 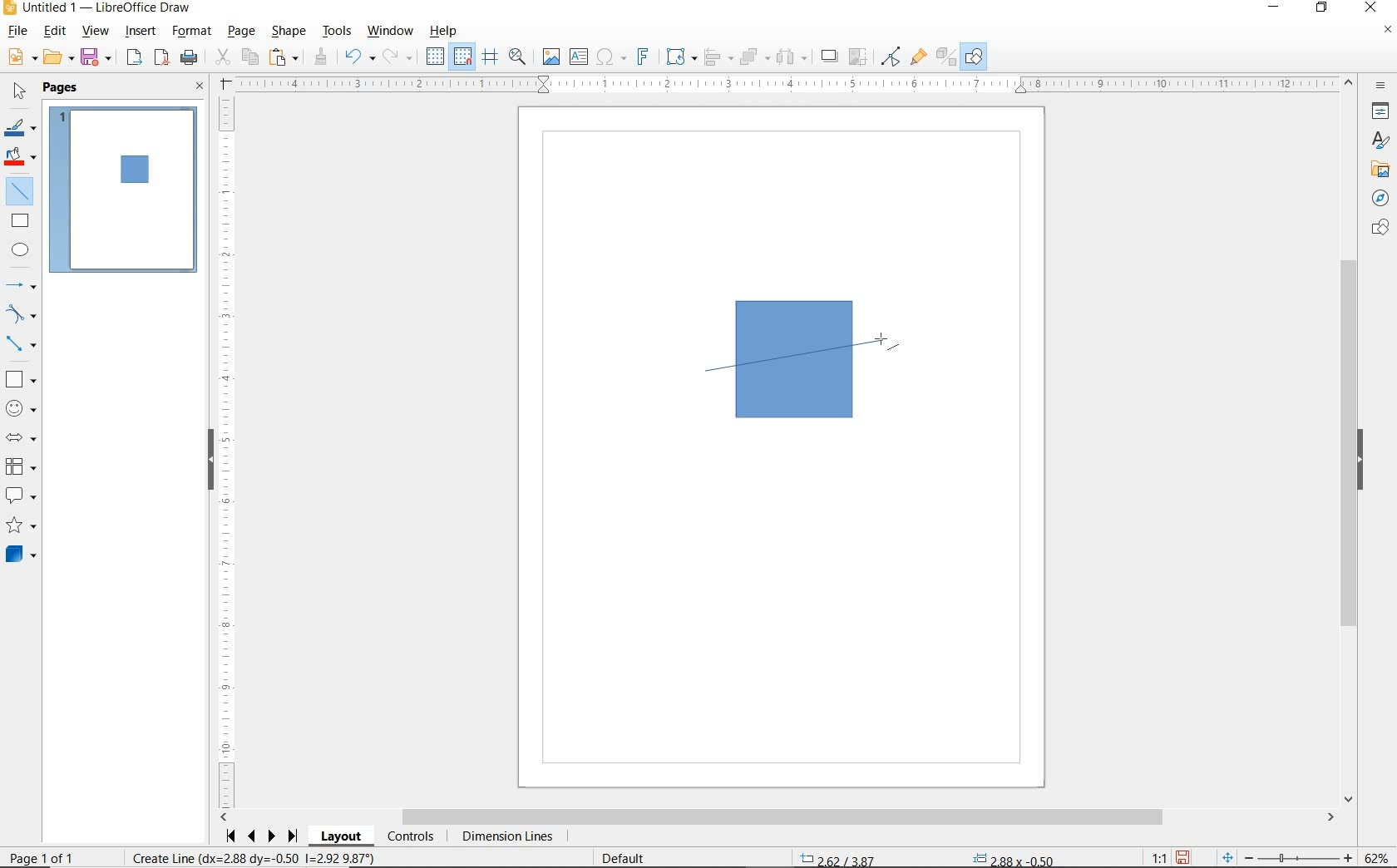 What do you see at coordinates (21, 220) in the screenshot?
I see `RECTANGLE` at bounding box center [21, 220].